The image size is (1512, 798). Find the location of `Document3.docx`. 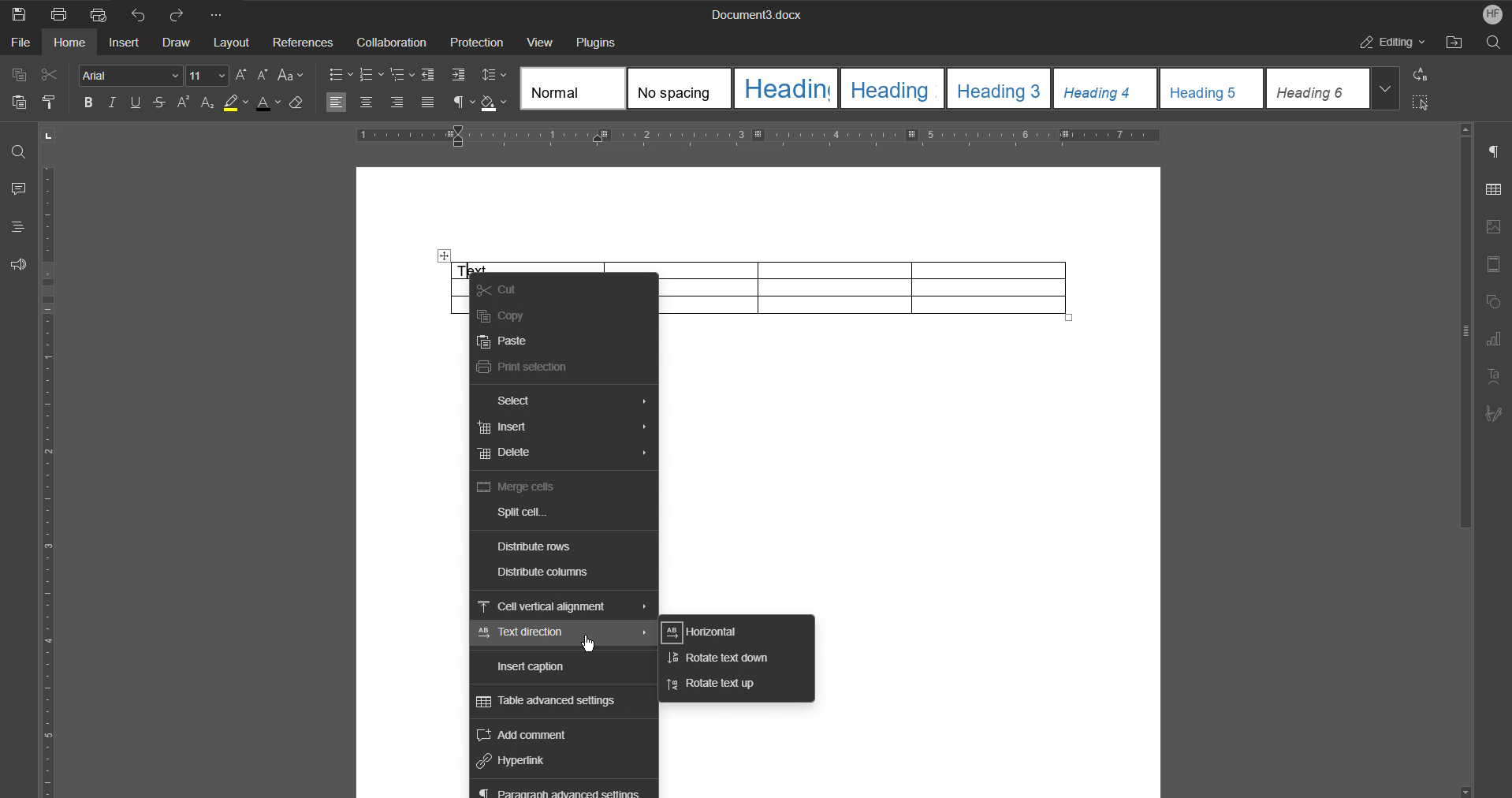

Document3.docx is located at coordinates (758, 13).